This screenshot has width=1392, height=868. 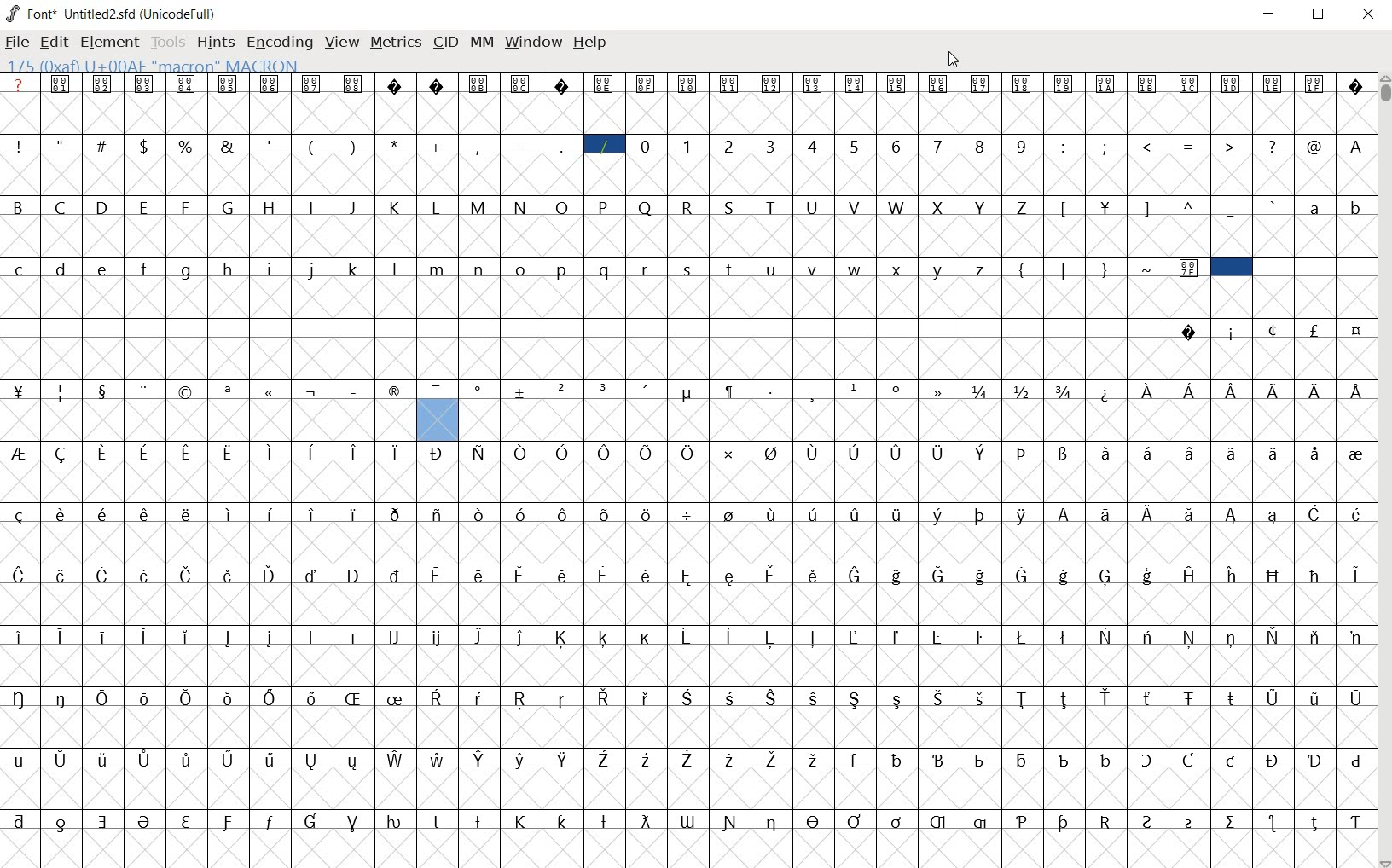 I want to click on Symbol, so click(x=230, y=638).